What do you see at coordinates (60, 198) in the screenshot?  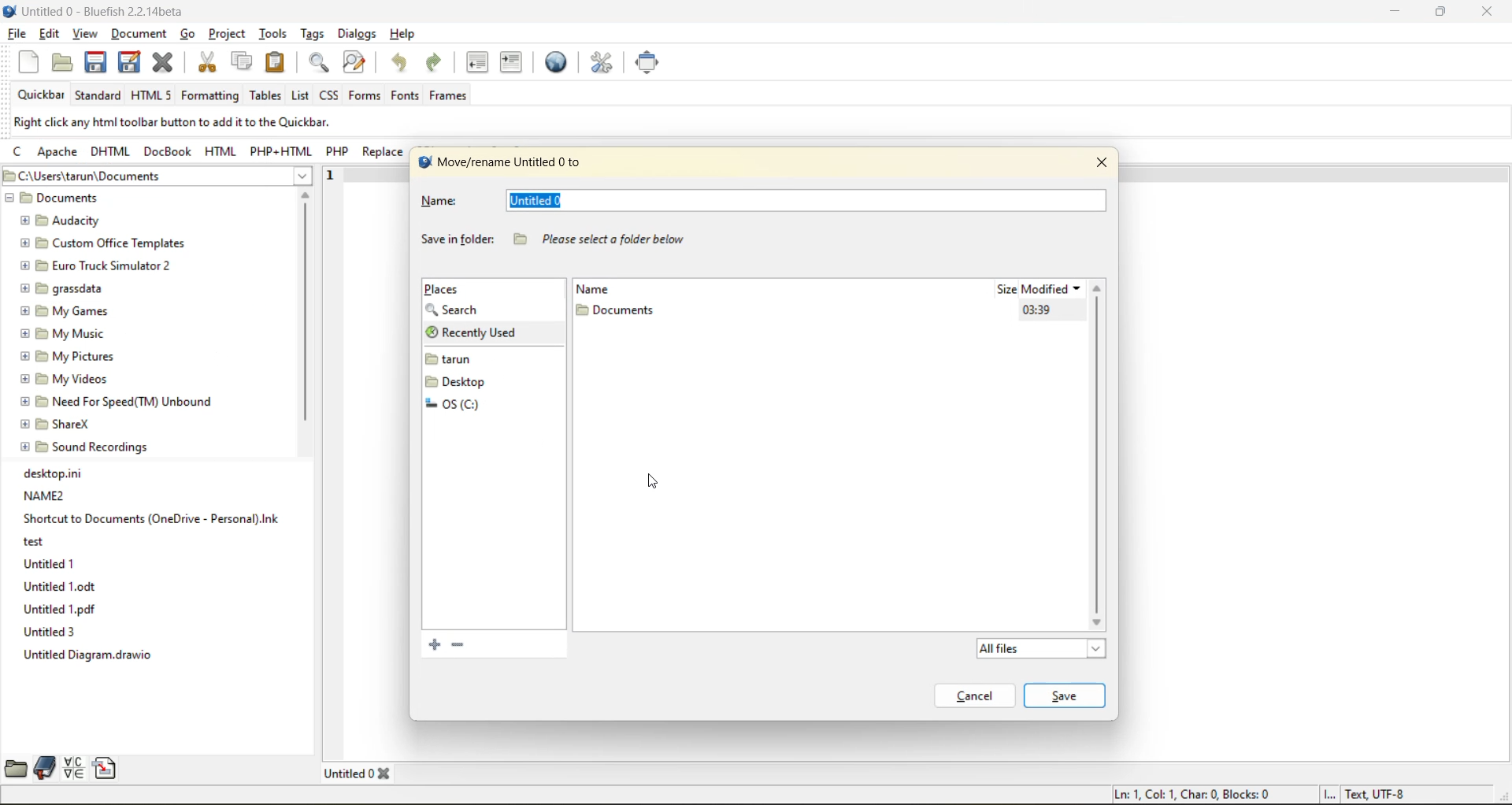 I see `Documents` at bounding box center [60, 198].